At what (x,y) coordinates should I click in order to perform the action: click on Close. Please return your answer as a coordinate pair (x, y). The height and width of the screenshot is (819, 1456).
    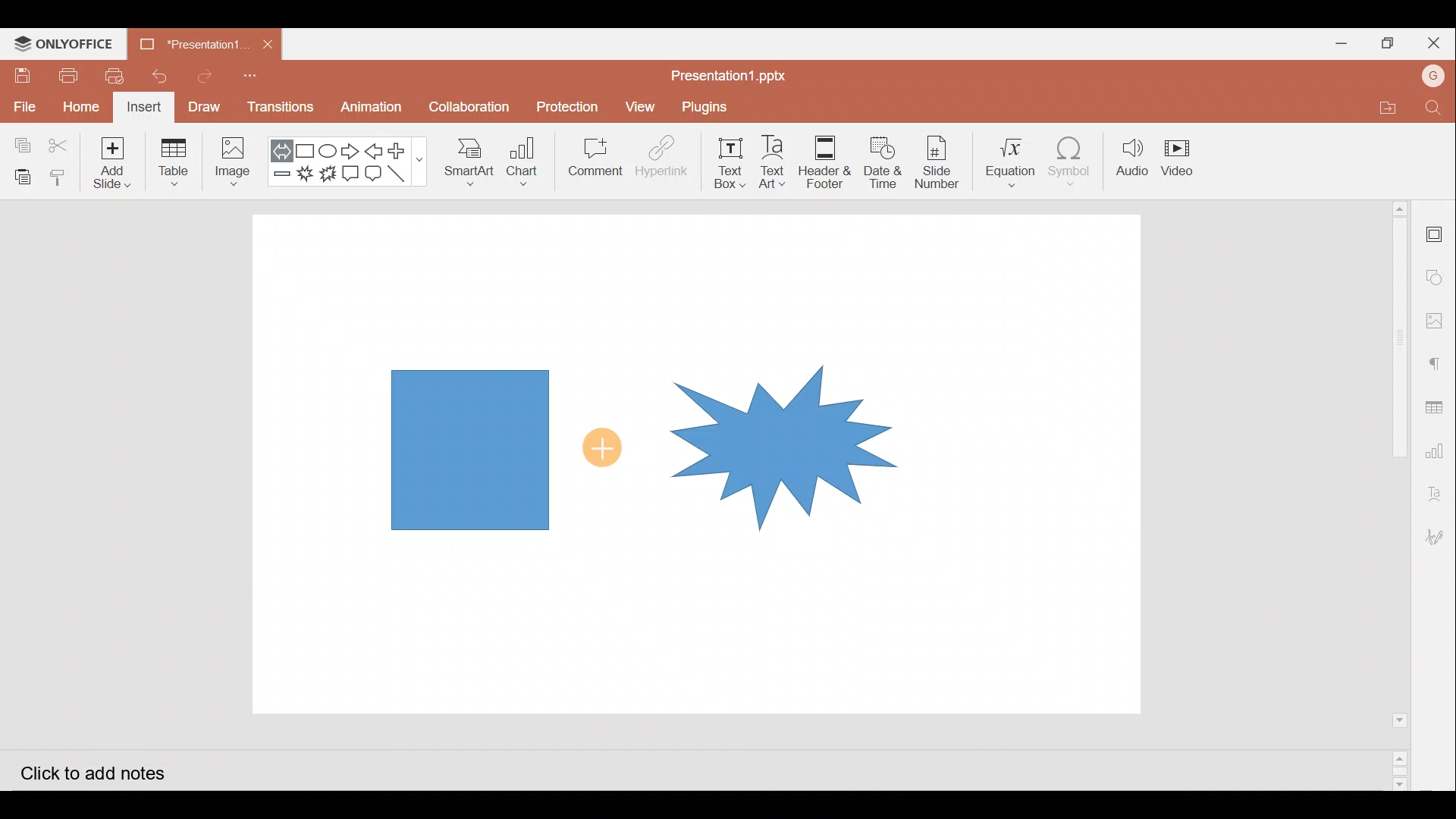
    Looking at the image, I should click on (1432, 42).